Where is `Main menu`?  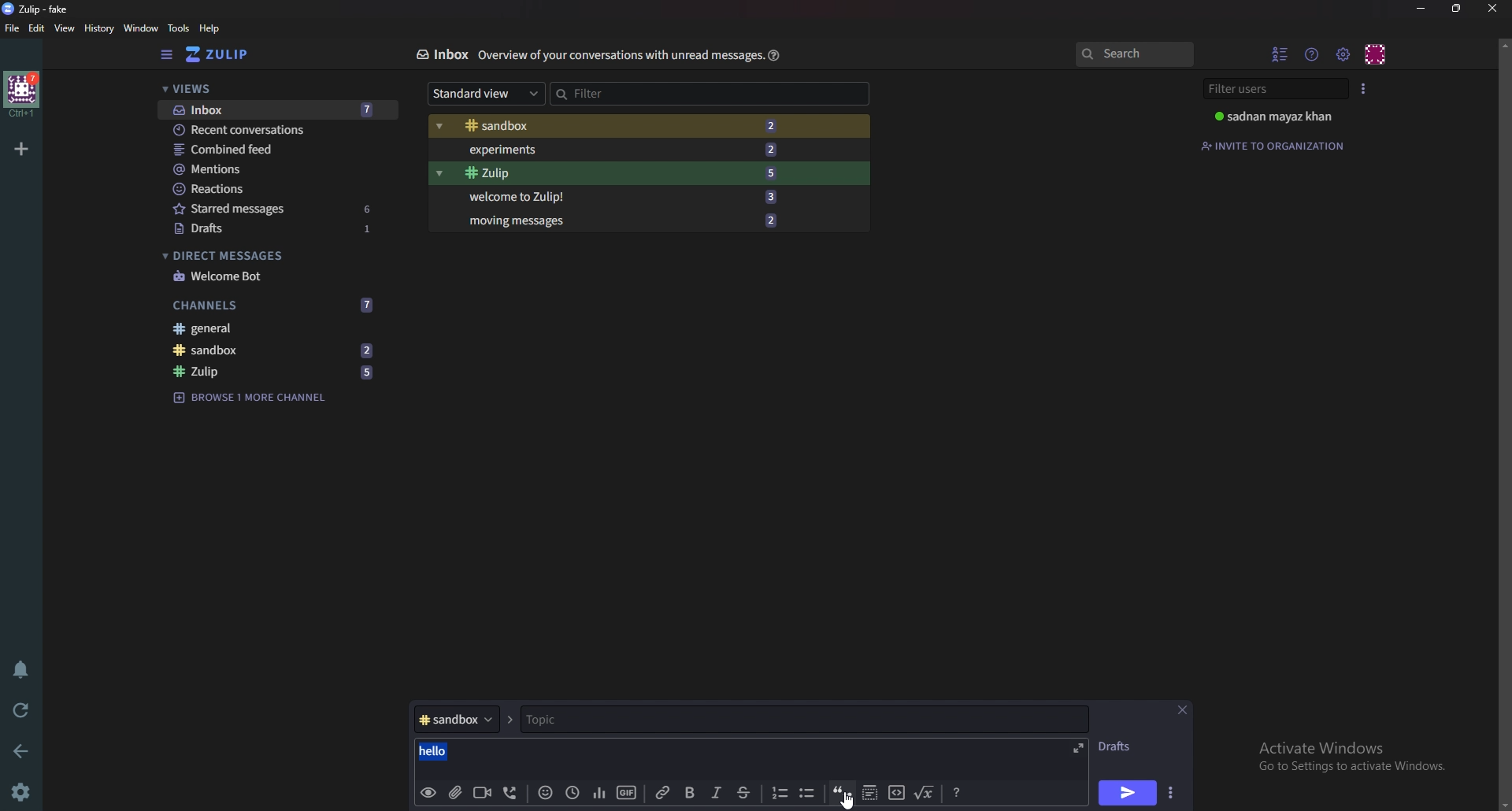
Main menu is located at coordinates (1345, 54).